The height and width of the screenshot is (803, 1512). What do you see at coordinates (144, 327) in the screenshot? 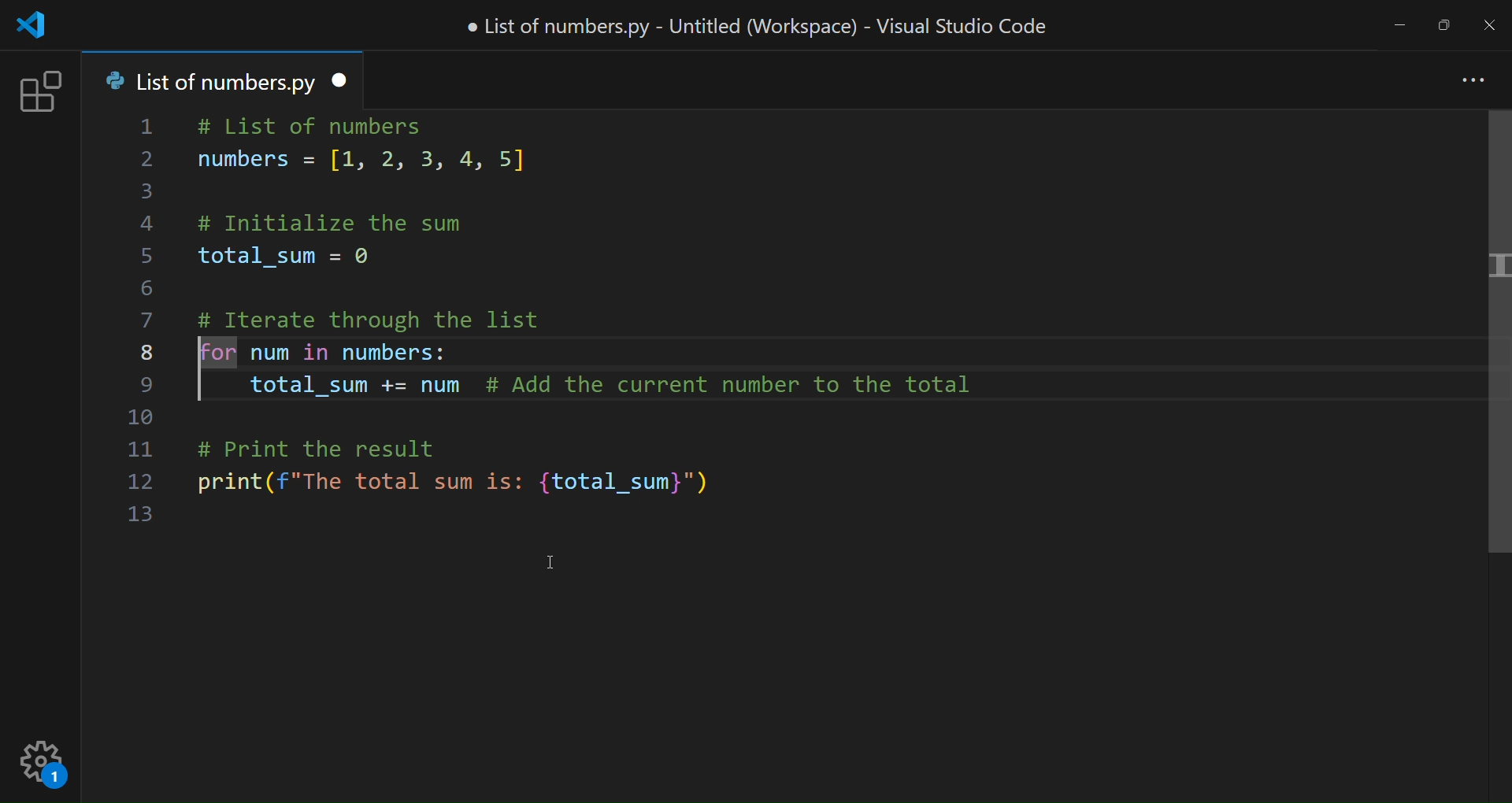
I see `line number` at bounding box center [144, 327].